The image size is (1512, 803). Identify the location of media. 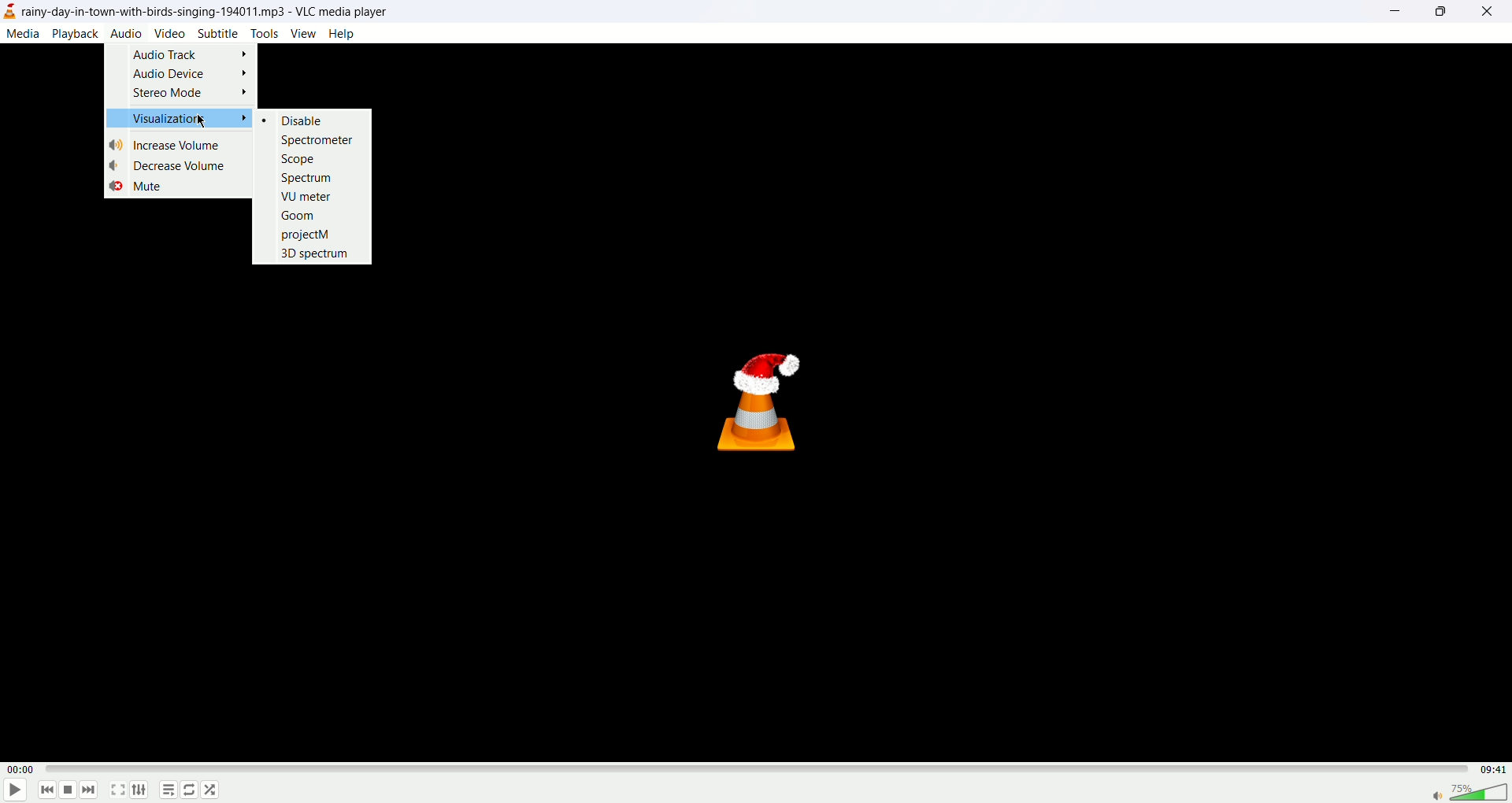
(24, 35).